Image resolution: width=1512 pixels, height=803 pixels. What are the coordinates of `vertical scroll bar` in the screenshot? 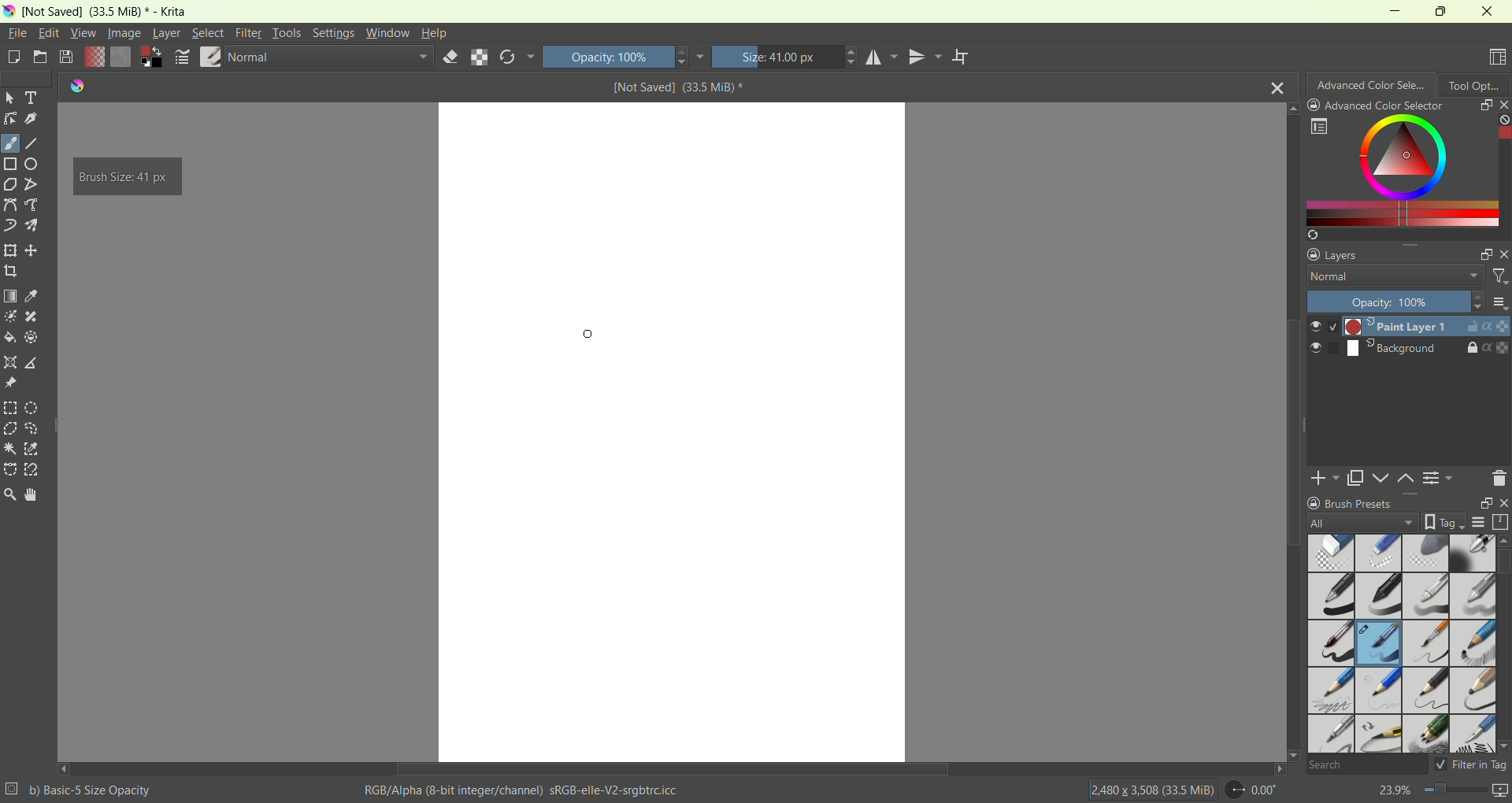 It's located at (1503, 169).